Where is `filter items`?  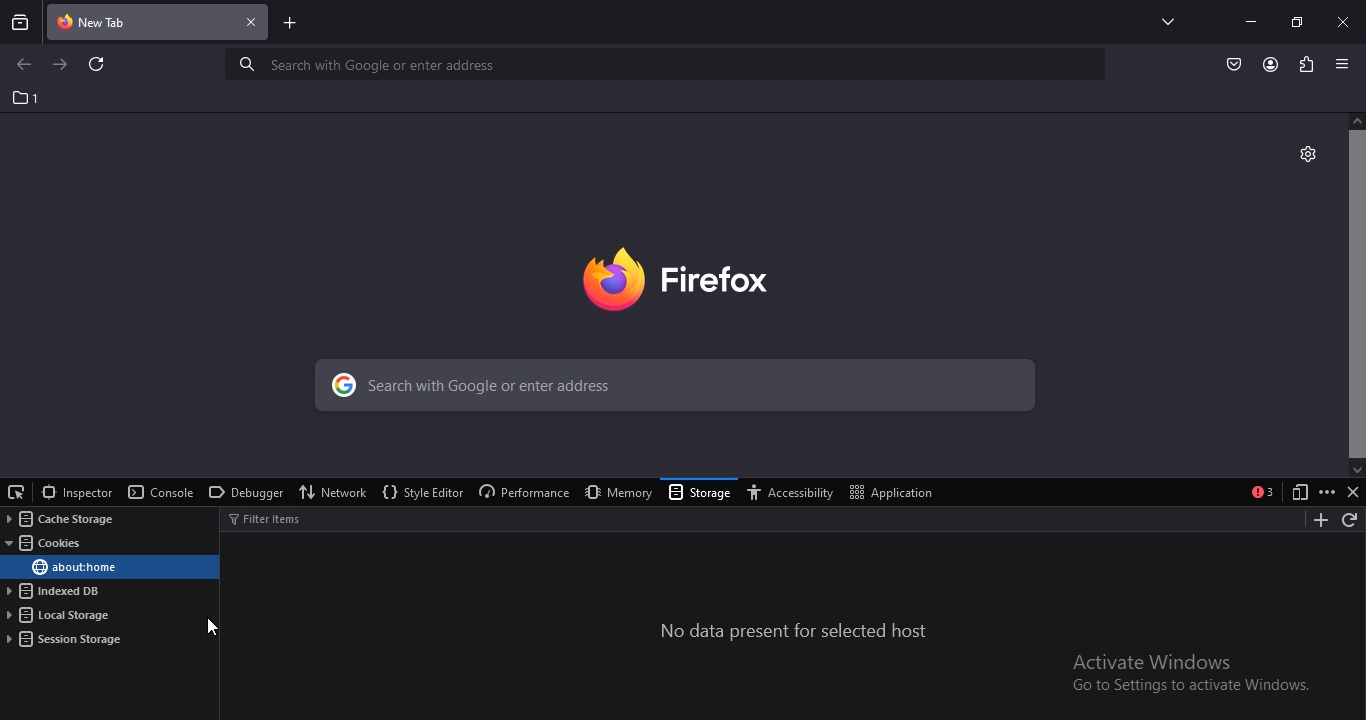
filter items is located at coordinates (276, 518).